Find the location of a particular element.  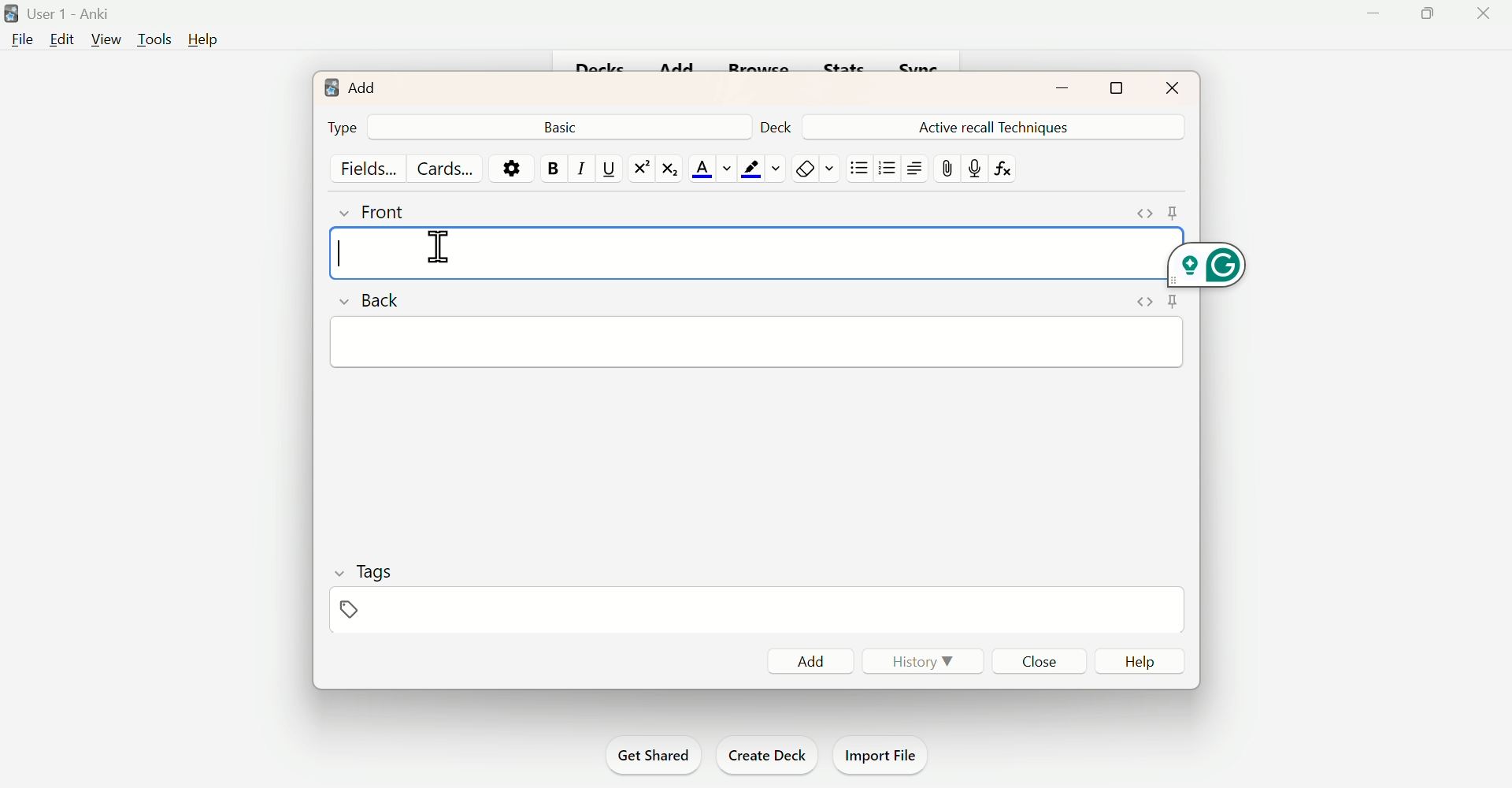

Edit is located at coordinates (61, 39).